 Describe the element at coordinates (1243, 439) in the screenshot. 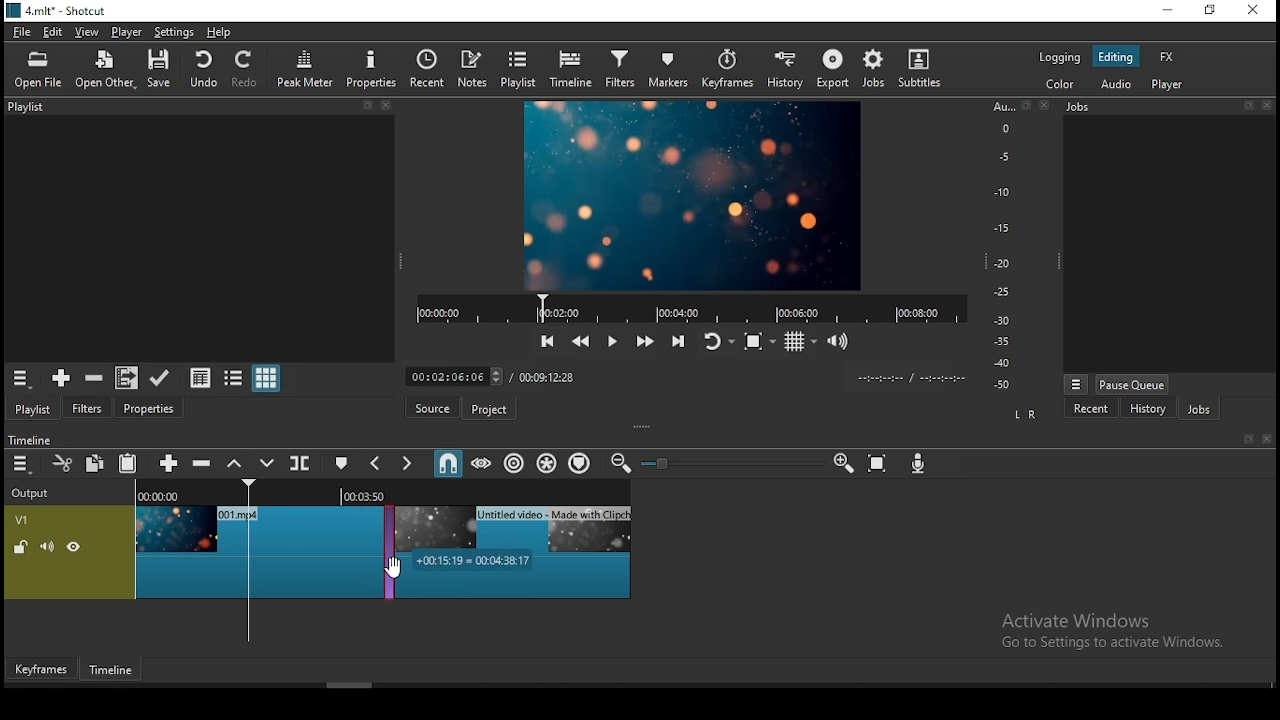

I see `bookmark` at that location.